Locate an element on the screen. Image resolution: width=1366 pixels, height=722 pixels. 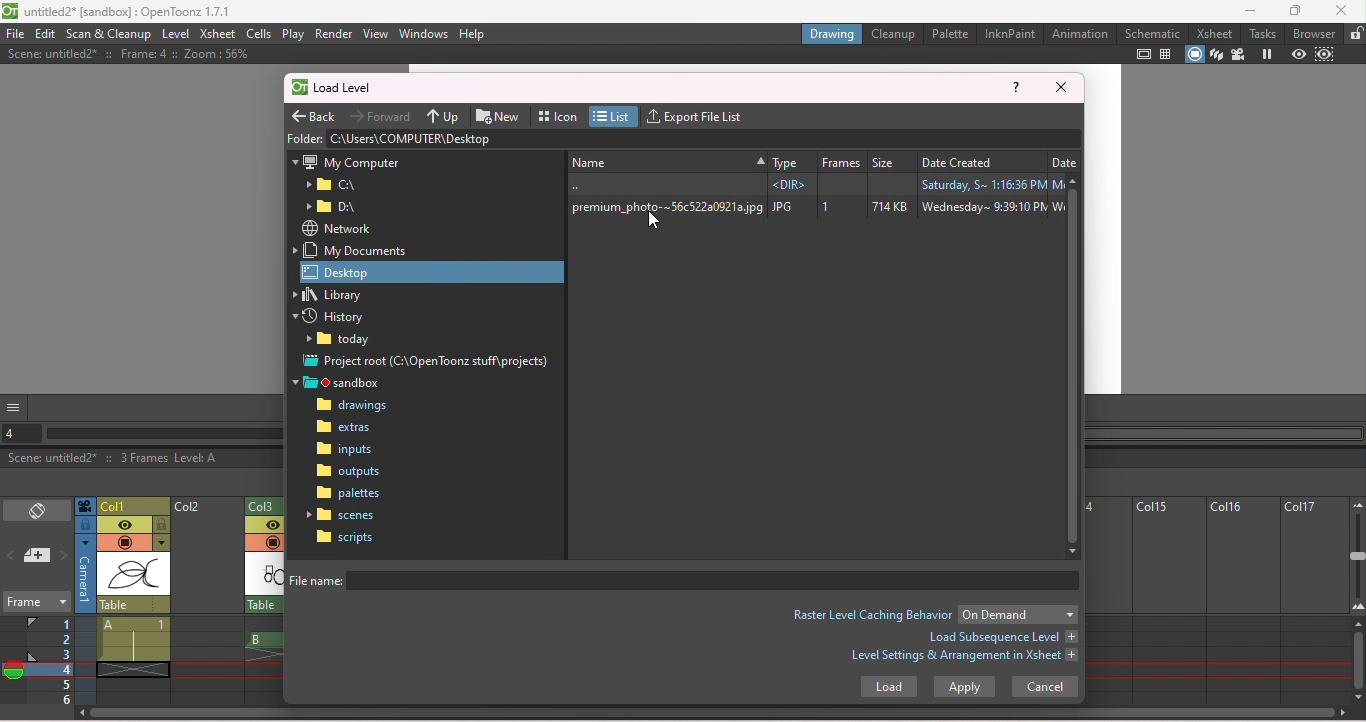
Click to select camera is located at coordinates (86, 574).